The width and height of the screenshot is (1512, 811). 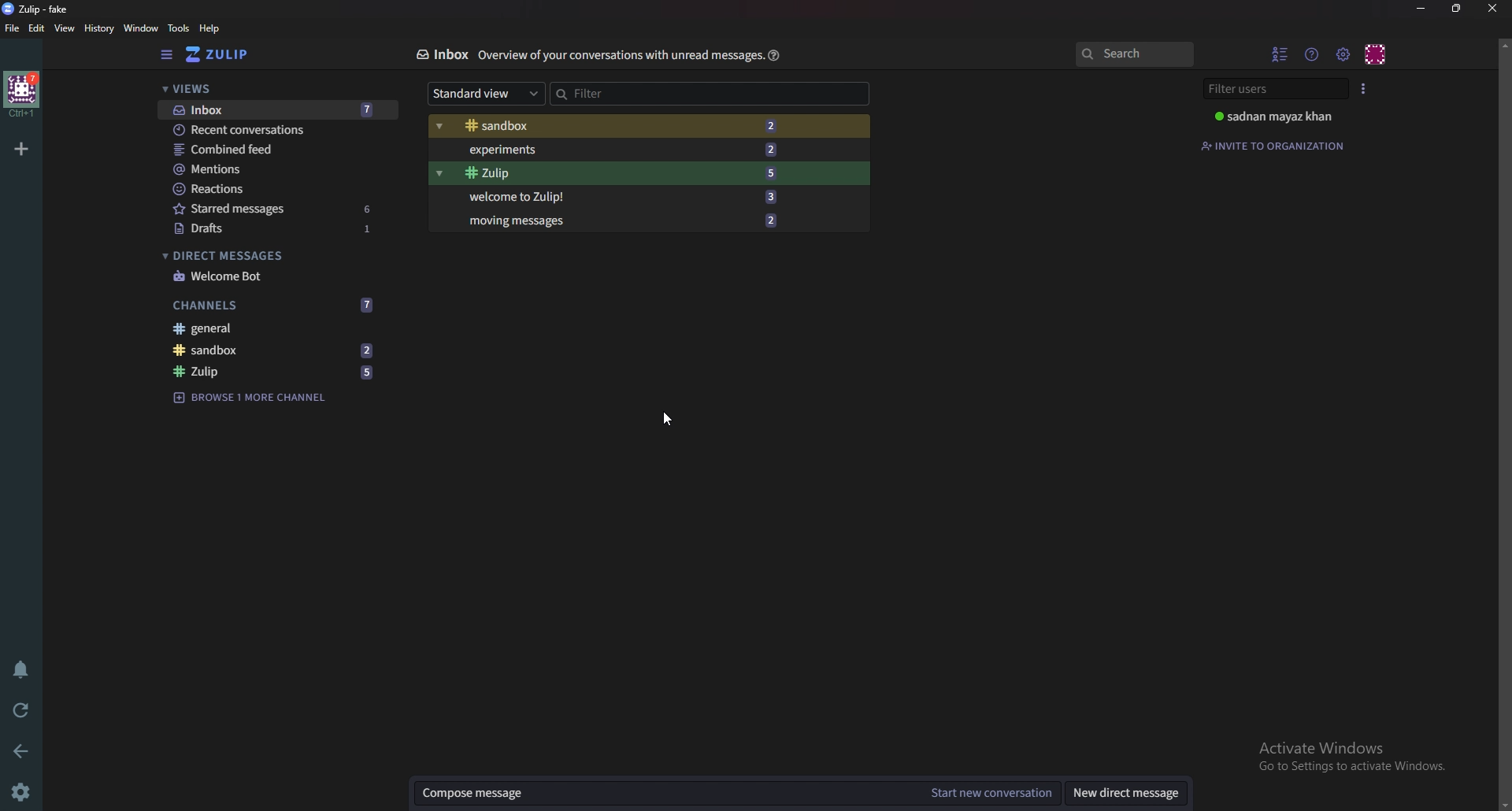 I want to click on Standard view, so click(x=485, y=94).